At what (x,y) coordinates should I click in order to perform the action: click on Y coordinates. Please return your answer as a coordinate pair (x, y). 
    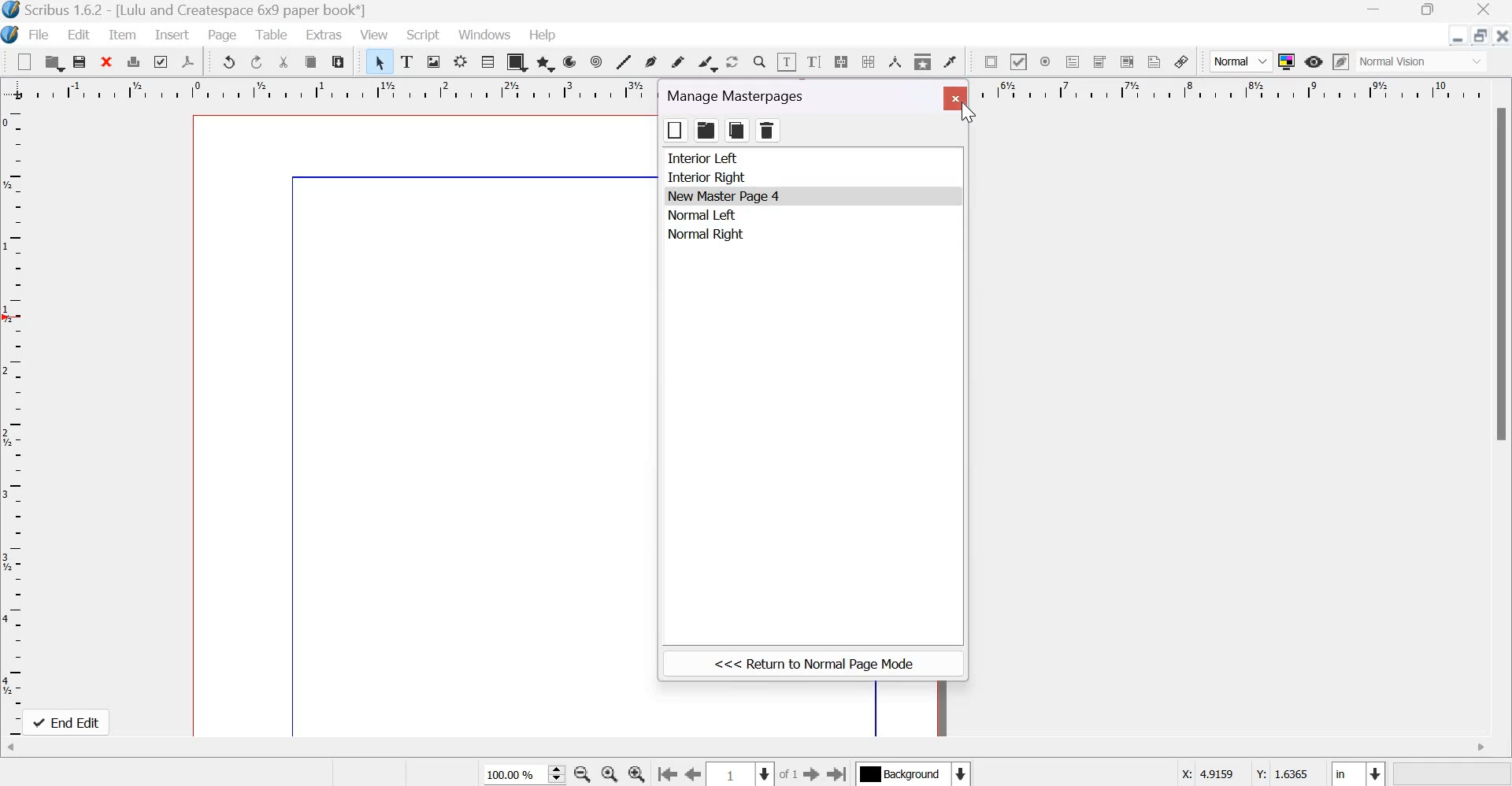
    Looking at the image, I should click on (1284, 773).